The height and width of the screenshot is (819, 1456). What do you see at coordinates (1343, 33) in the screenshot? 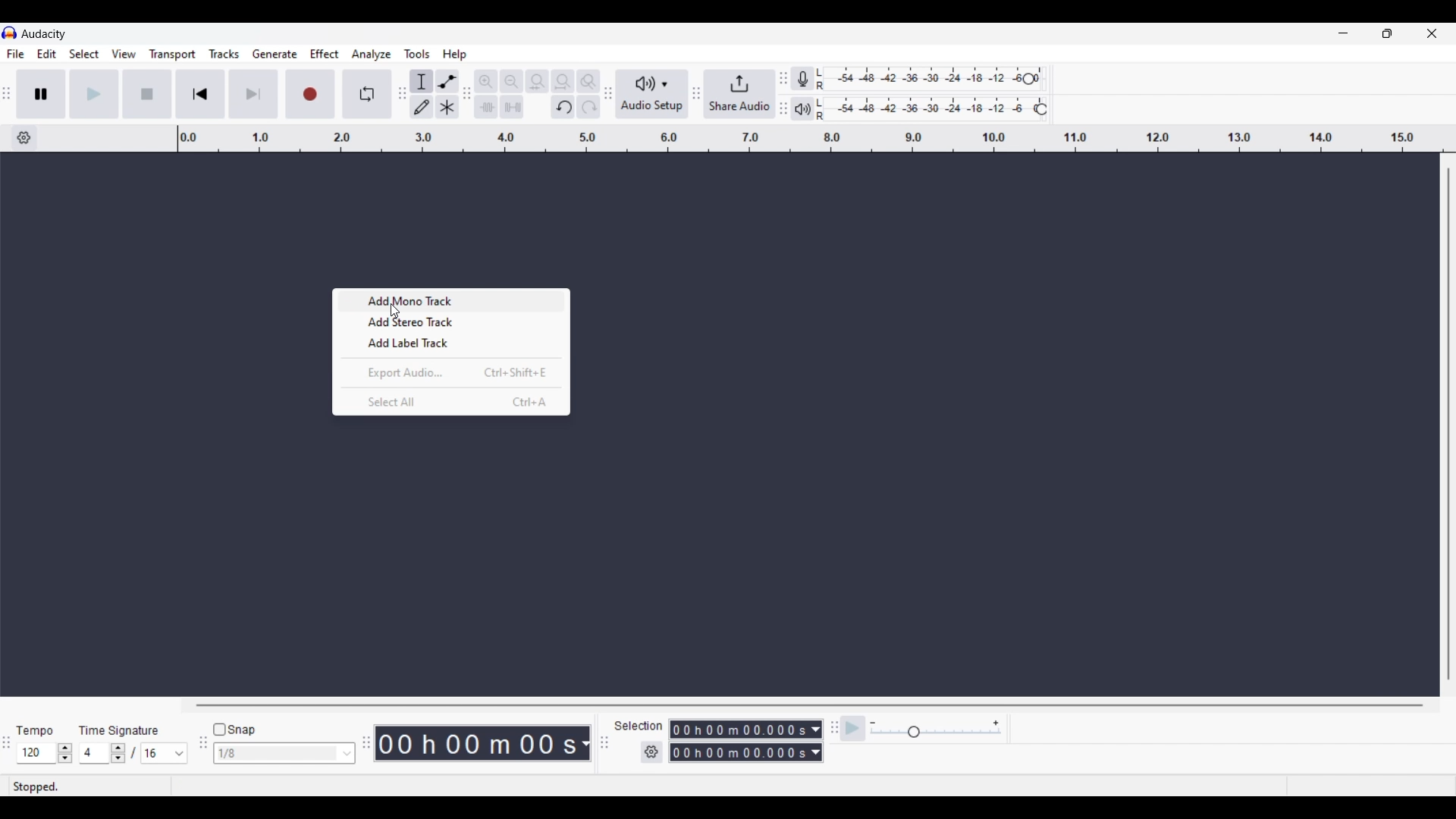
I see `Minimize` at bounding box center [1343, 33].